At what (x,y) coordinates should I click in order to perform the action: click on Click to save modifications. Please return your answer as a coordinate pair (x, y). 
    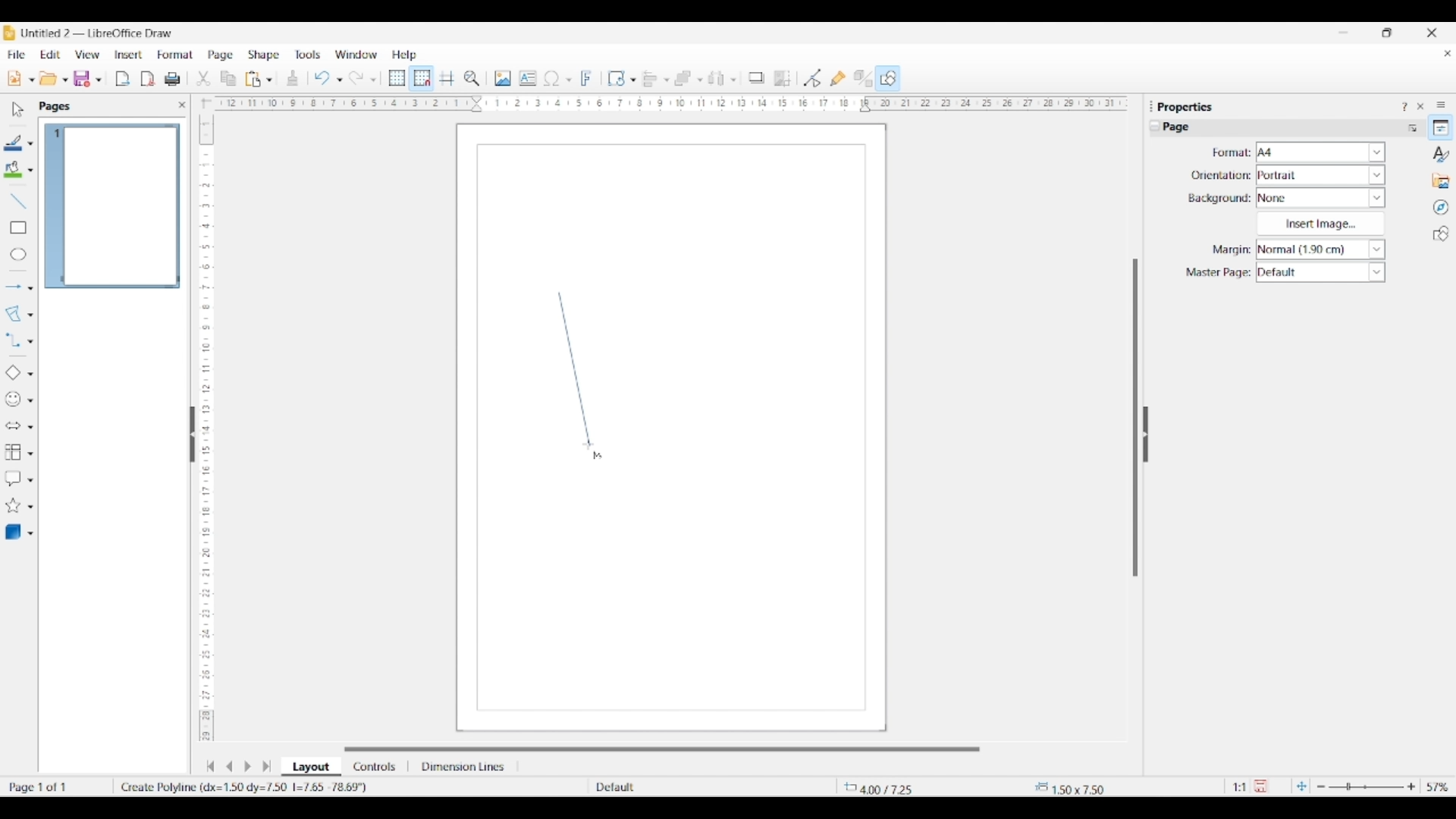
    Looking at the image, I should click on (1260, 786).